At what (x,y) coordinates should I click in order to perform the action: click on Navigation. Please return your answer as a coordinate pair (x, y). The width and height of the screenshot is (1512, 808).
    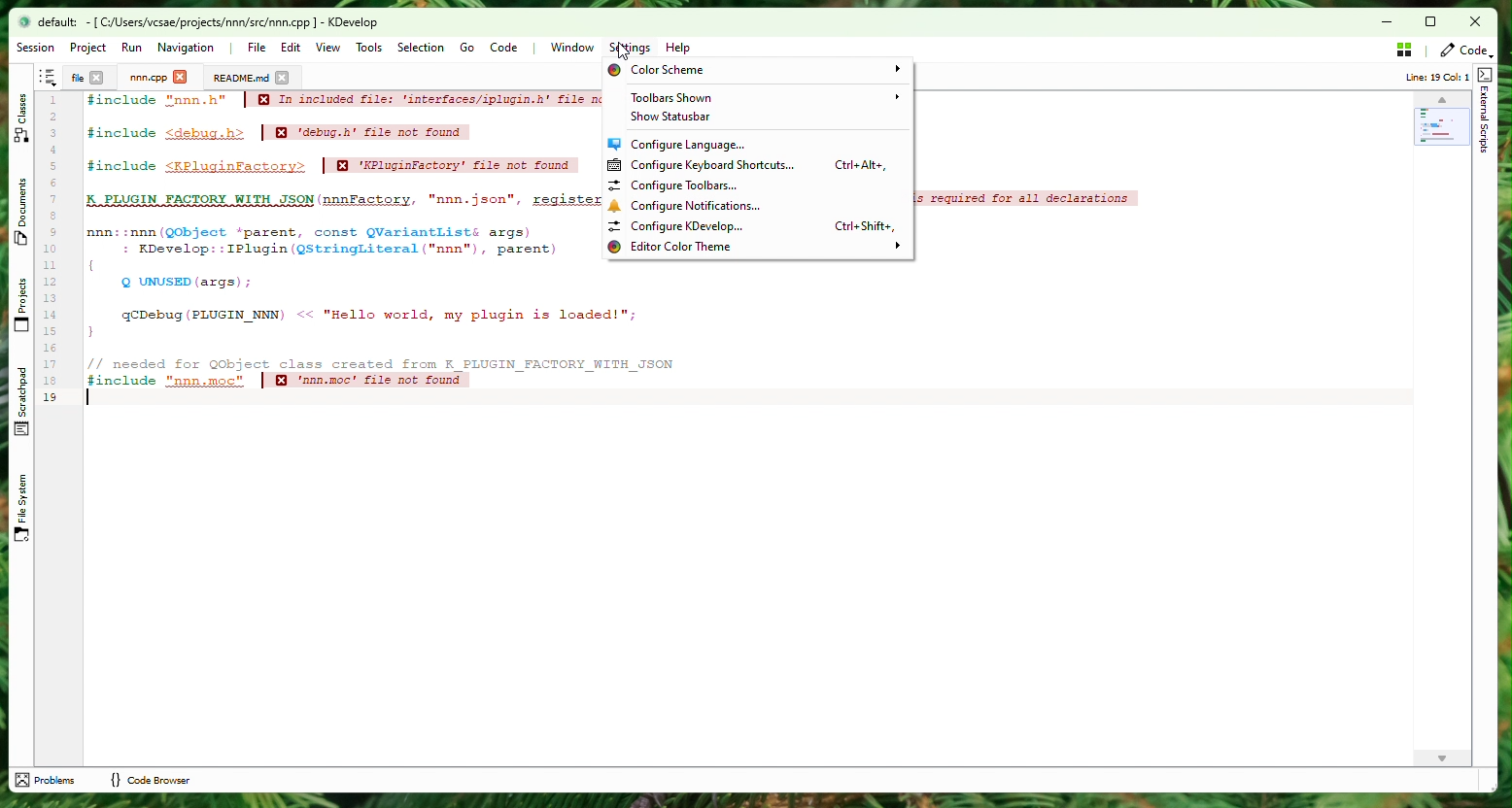
    Looking at the image, I should click on (189, 49).